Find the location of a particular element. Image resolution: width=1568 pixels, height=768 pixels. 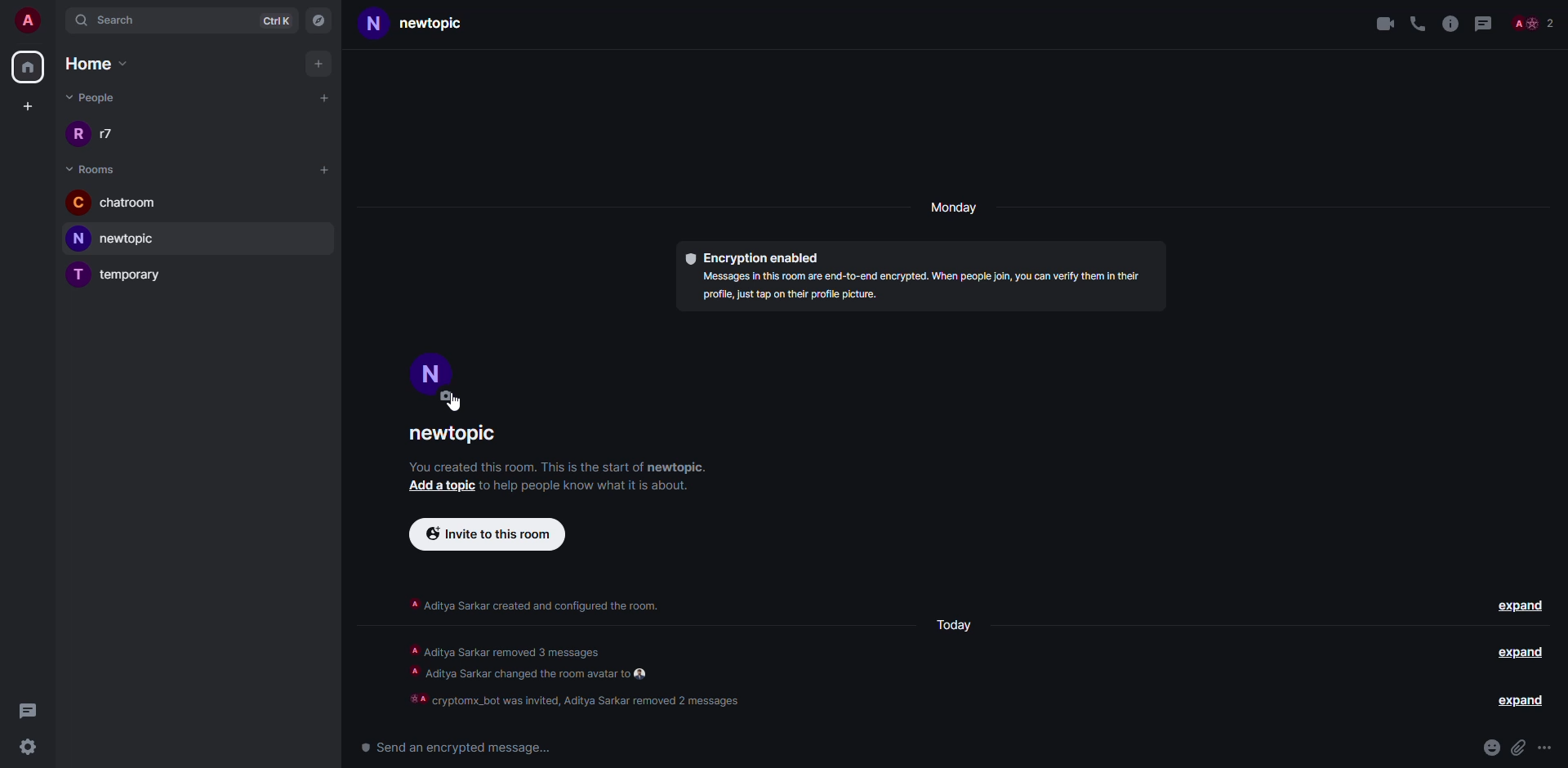

temporary is located at coordinates (122, 275).